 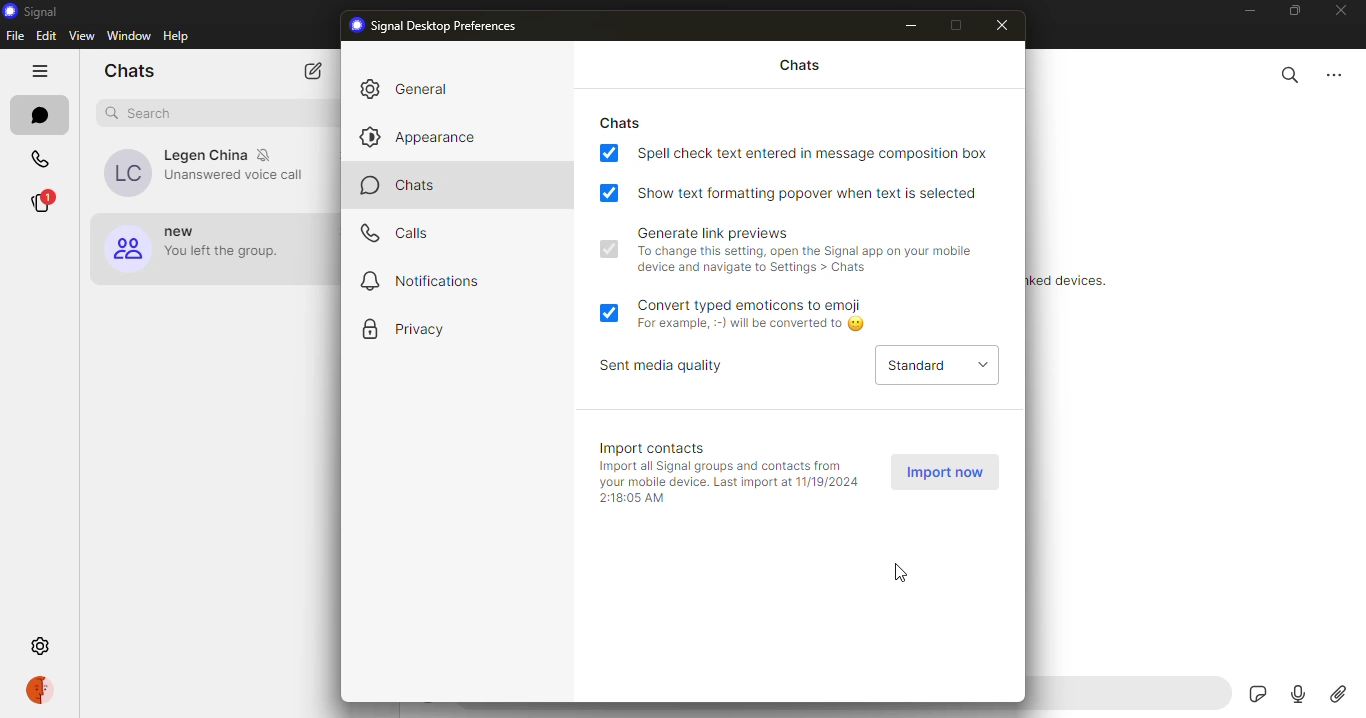 I want to click on maximize, so click(x=955, y=24).